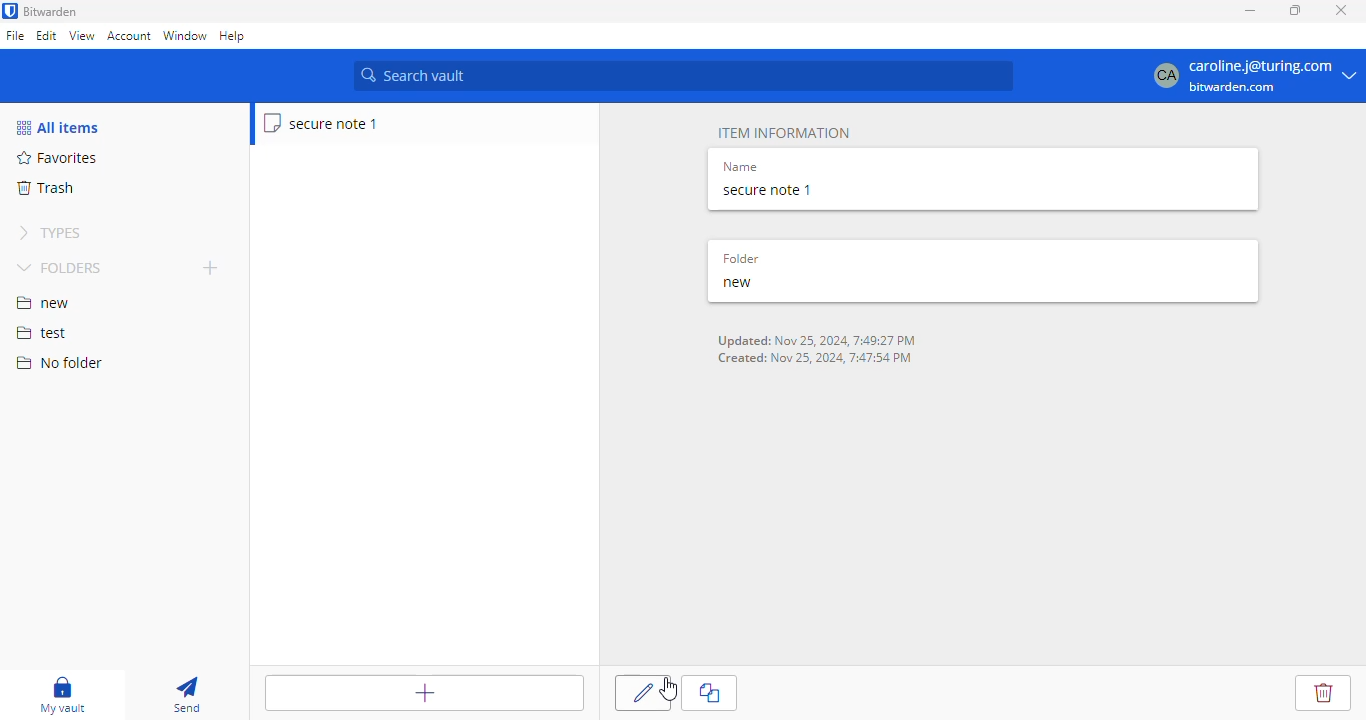 Image resolution: width=1366 pixels, height=720 pixels. Describe the element at coordinates (185, 37) in the screenshot. I see `window` at that location.